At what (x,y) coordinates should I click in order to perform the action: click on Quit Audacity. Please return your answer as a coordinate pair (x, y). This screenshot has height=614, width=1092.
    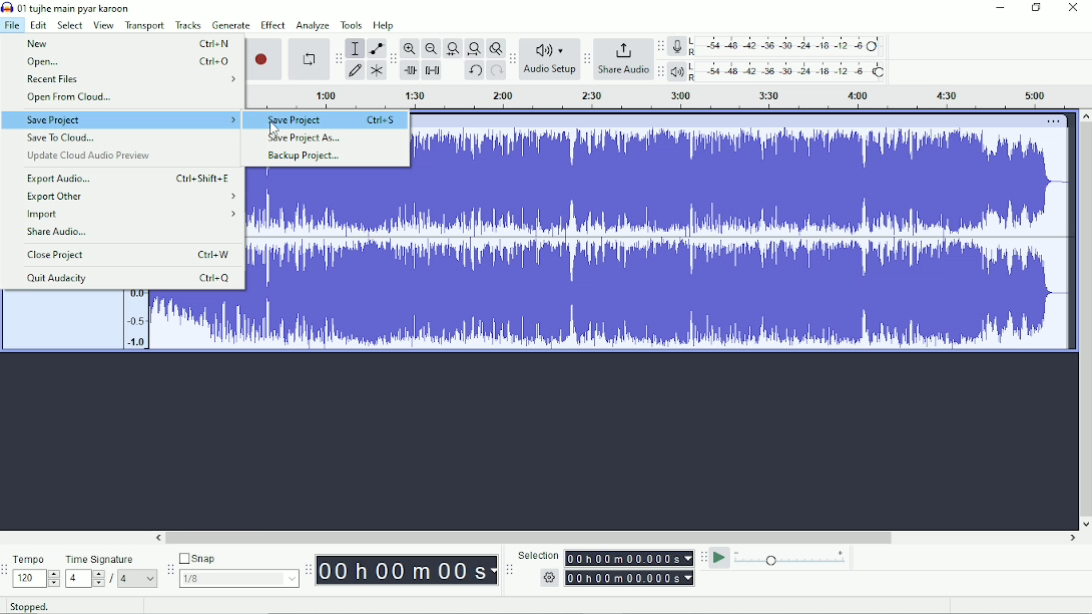
    Looking at the image, I should click on (128, 279).